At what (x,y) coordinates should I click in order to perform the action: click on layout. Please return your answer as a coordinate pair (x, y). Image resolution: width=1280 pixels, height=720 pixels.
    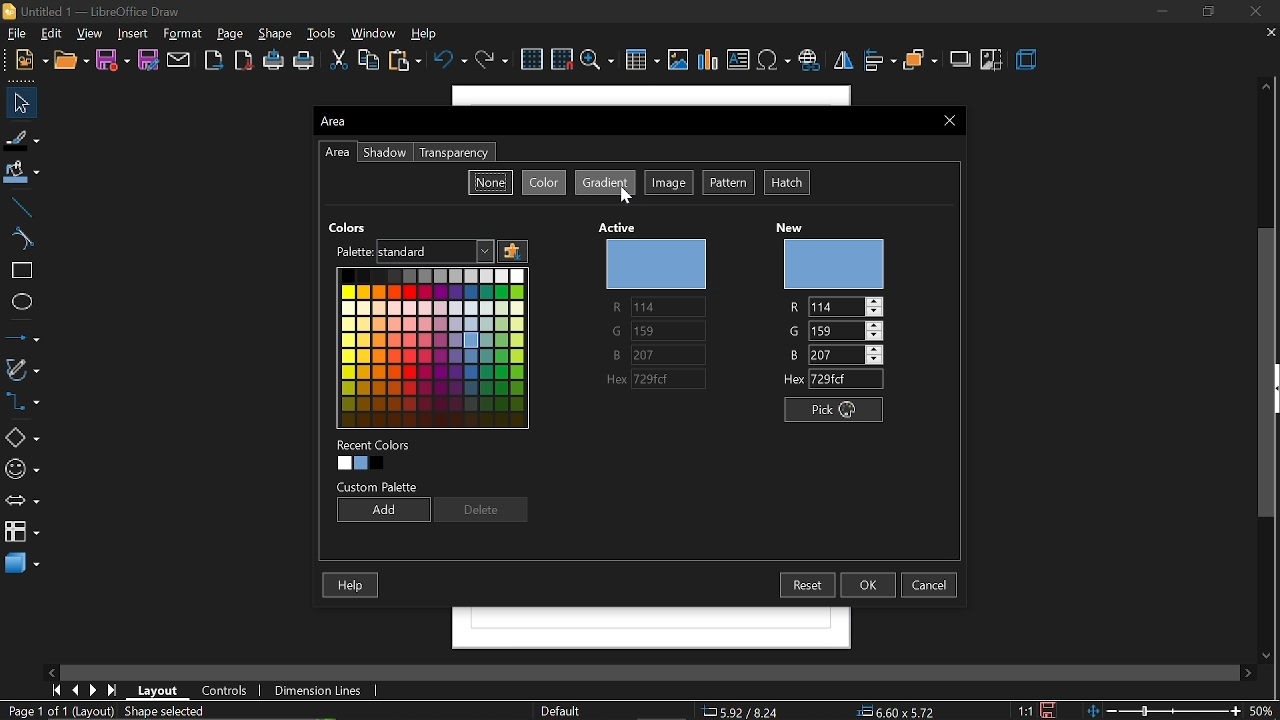
    Looking at the image, I should click on (160, 689).